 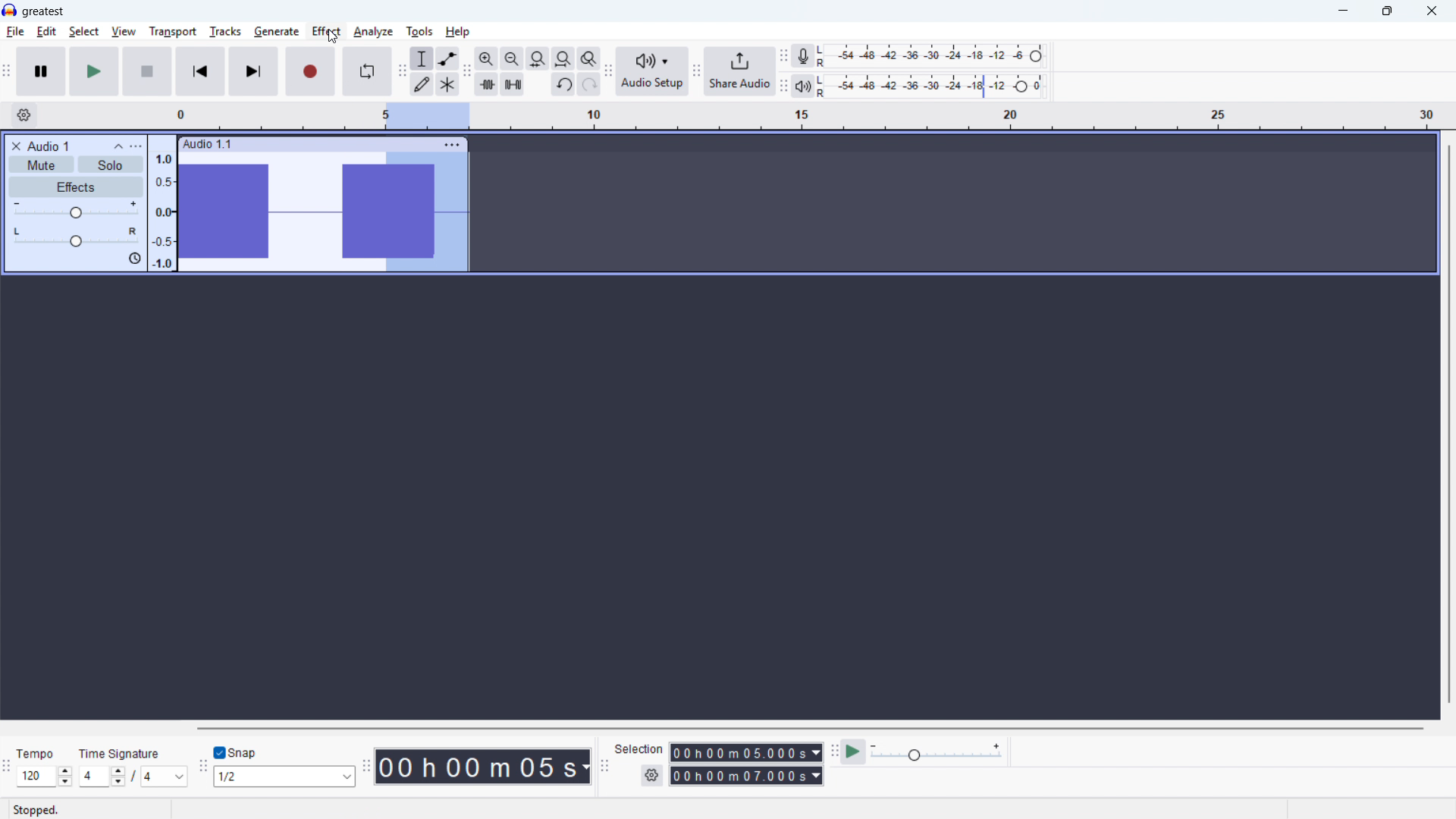 I want to click on Timeline , so click(x=808, y=117).